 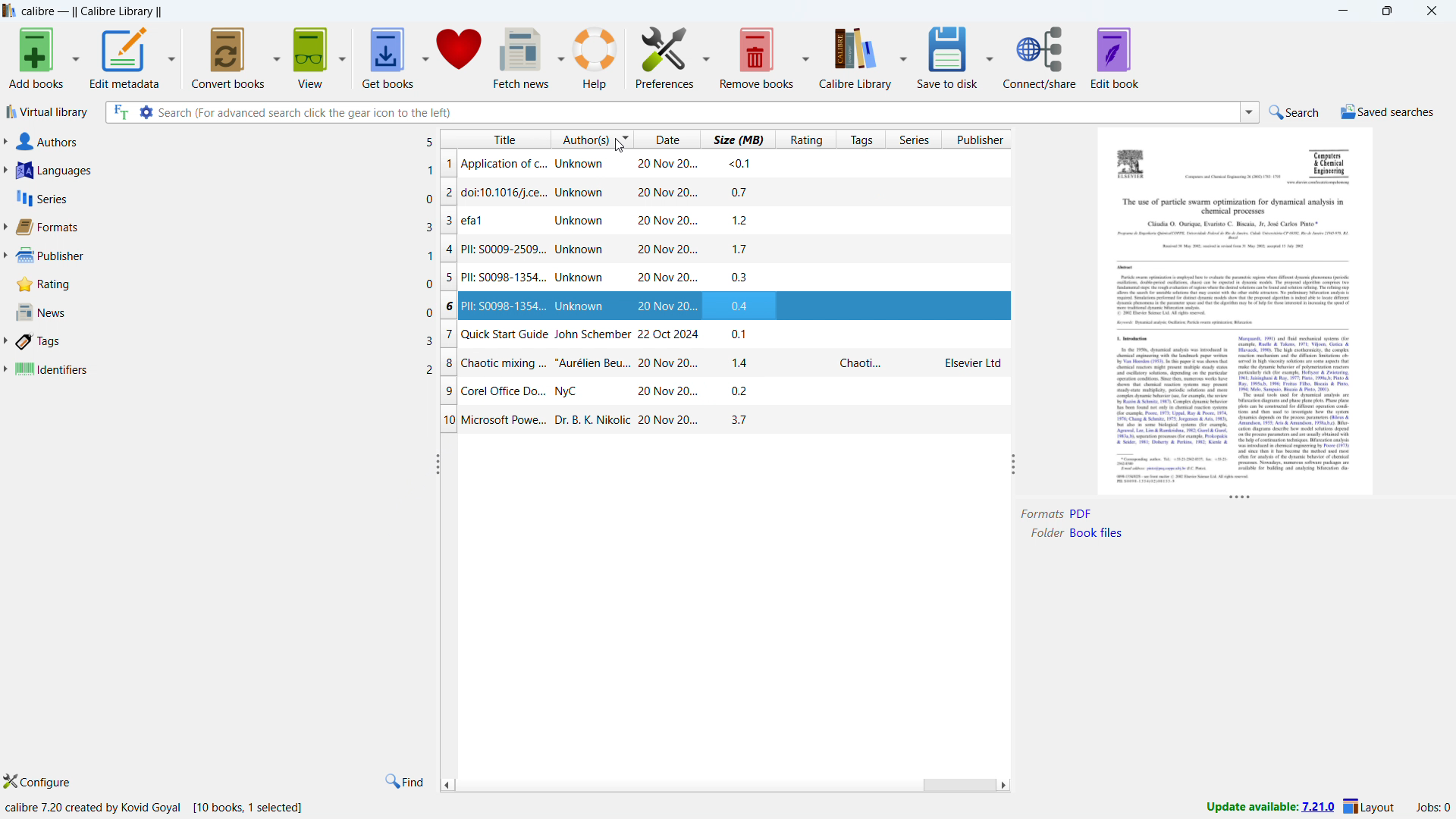 I want to click on 7, so click(x=449, y=336).